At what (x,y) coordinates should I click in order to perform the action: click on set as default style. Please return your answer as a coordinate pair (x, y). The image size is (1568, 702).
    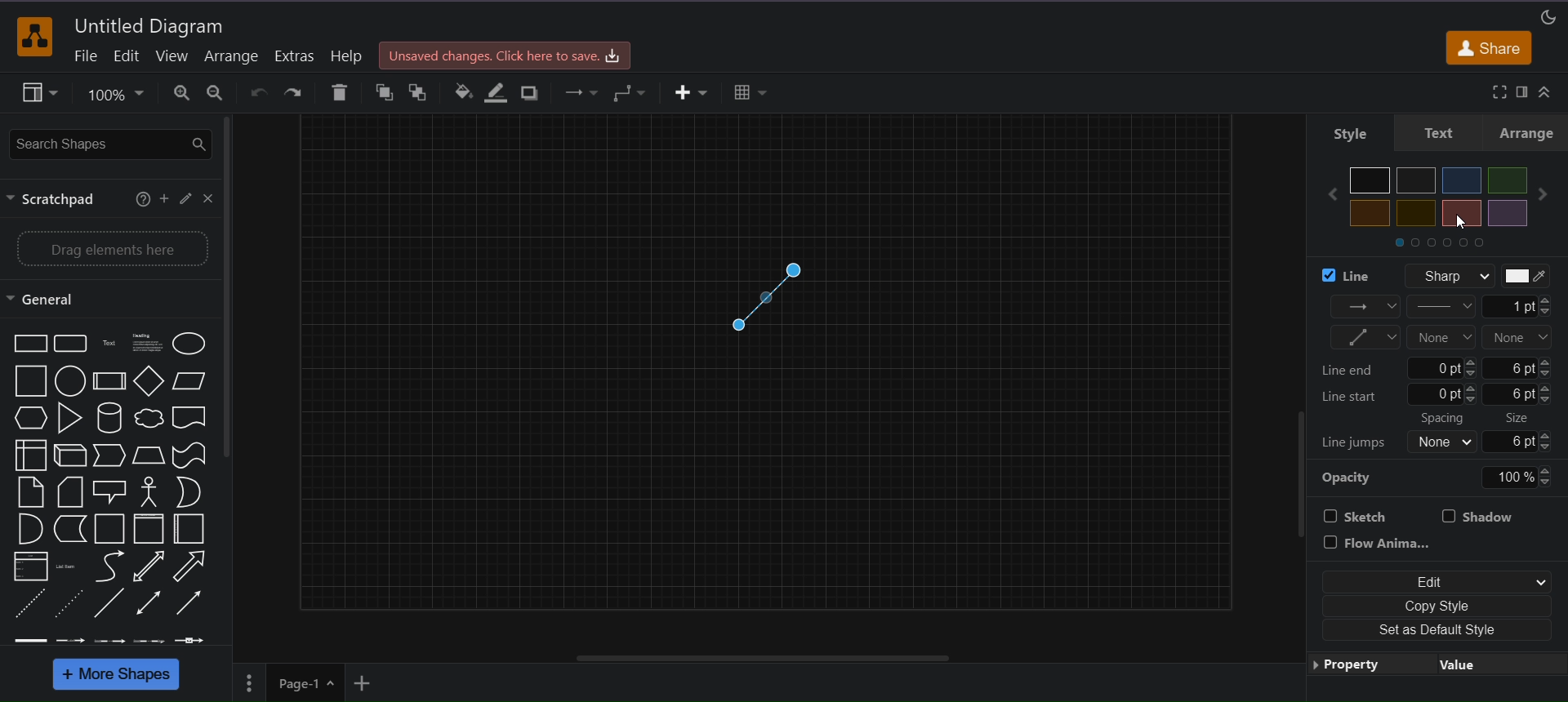
    Looking at the image, I should click on (1433, 632).